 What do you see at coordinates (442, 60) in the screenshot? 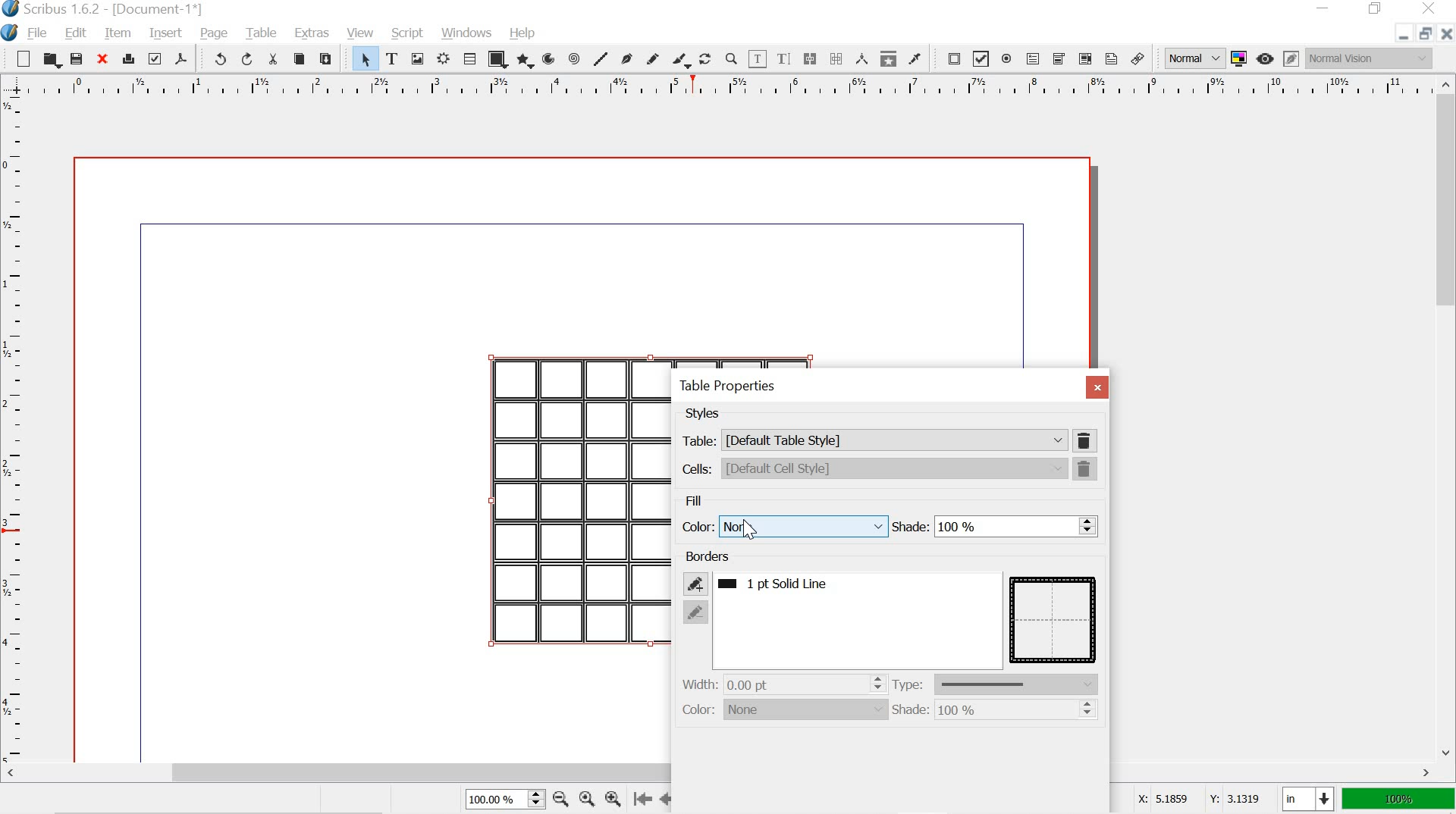
I see `render frame` at bounding box center [442, 60].